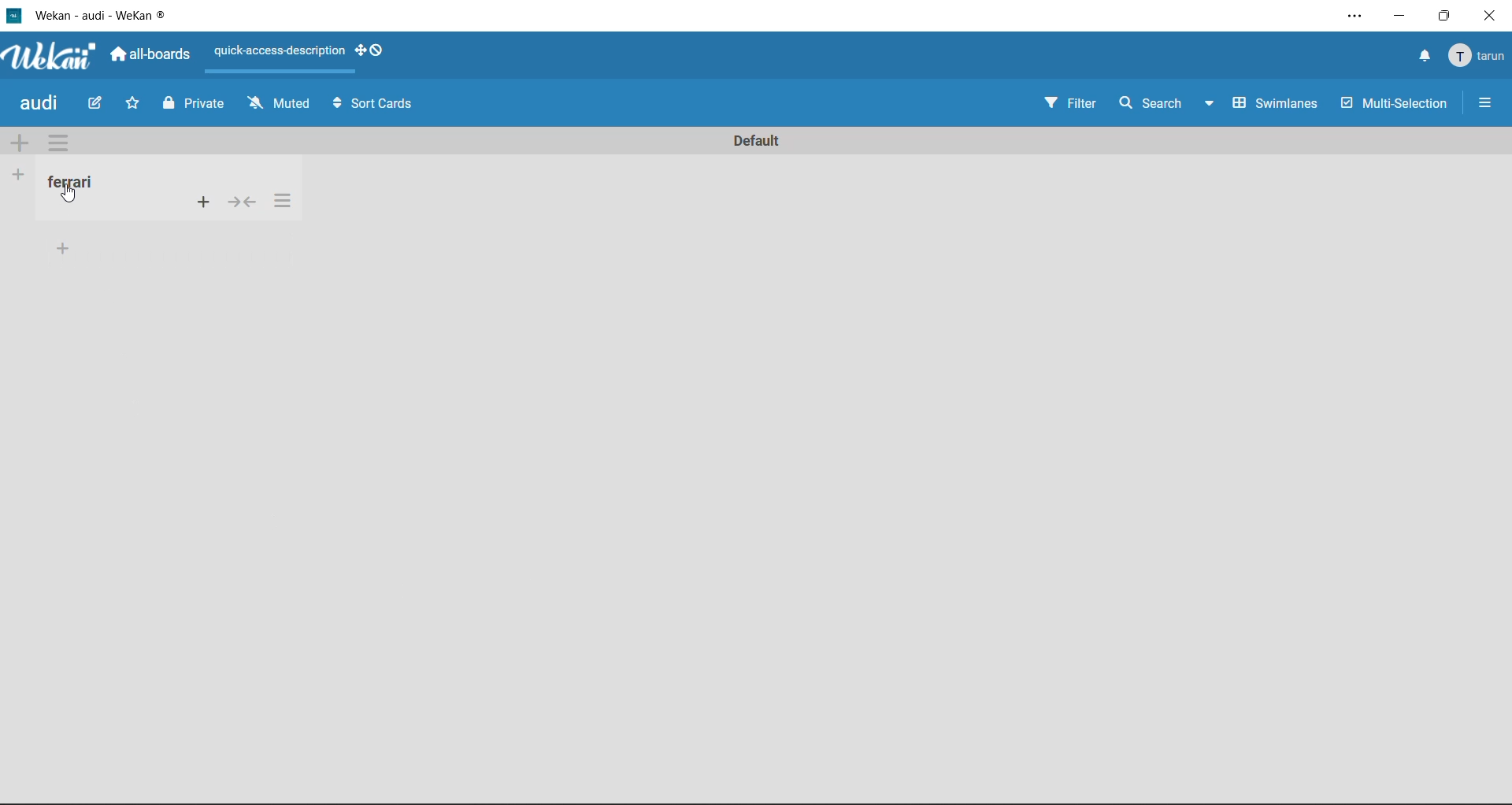 The image size is (1512, 805). Describe the element at coordinates (1445, 17) in the screenshot. I see `maximize` at that location.